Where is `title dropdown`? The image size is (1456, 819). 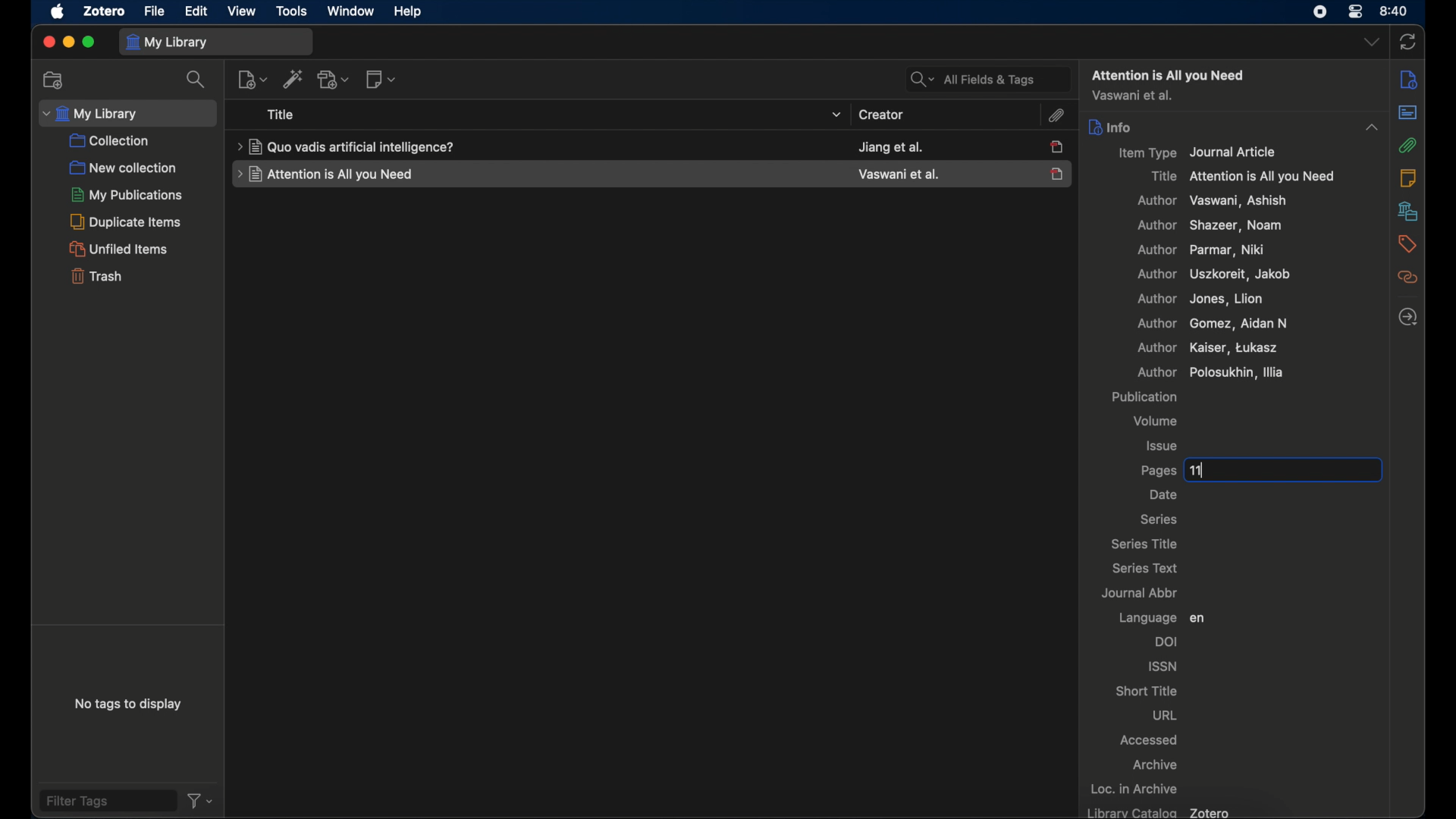
title dropdown is located at coordinates (837, 115).